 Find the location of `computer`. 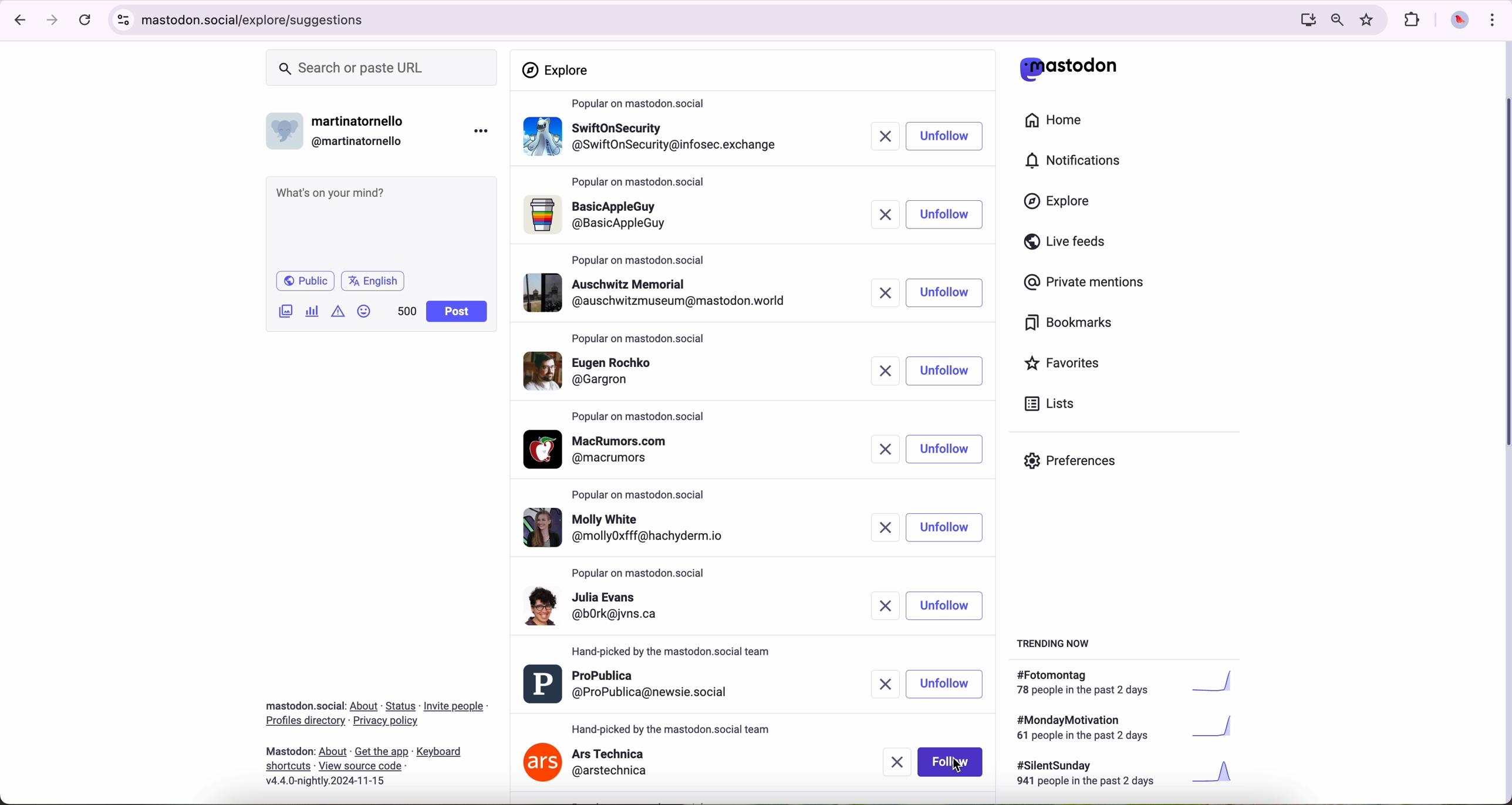

computer is located at coordinates (1303, 19).